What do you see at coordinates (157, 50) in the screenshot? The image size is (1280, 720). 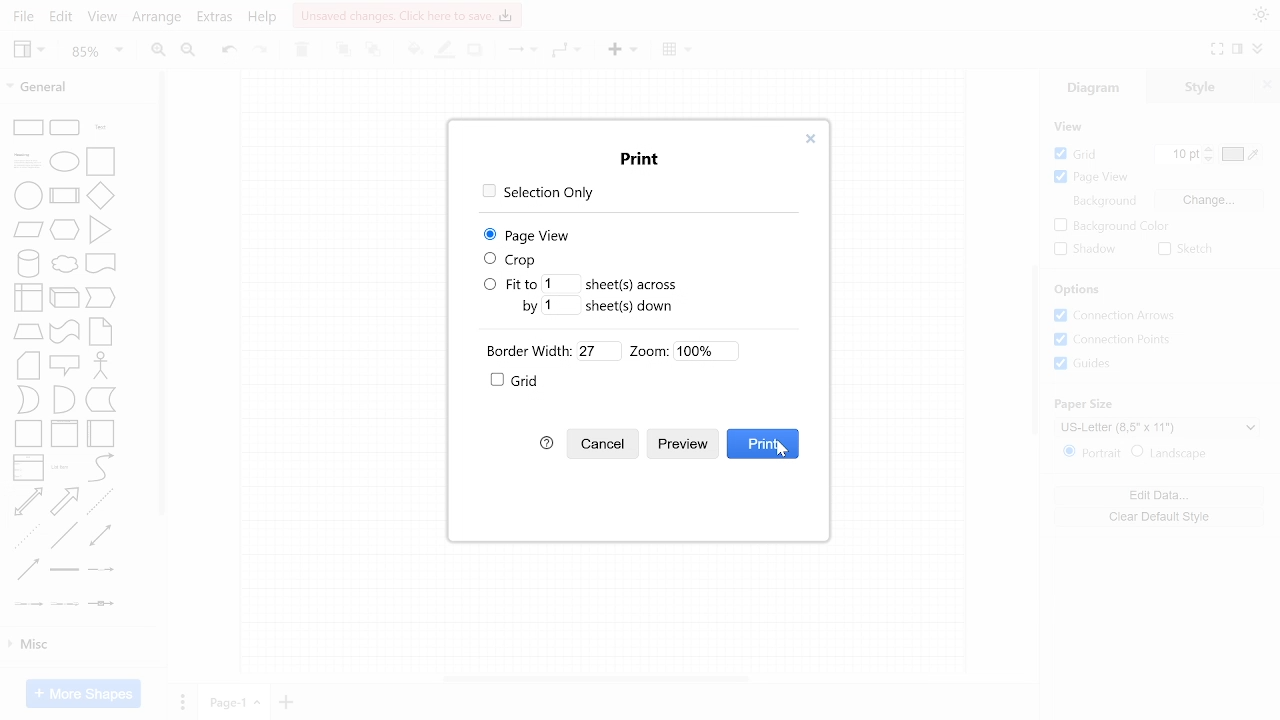 I see `Zoom in` at bounding box center [157, 50].